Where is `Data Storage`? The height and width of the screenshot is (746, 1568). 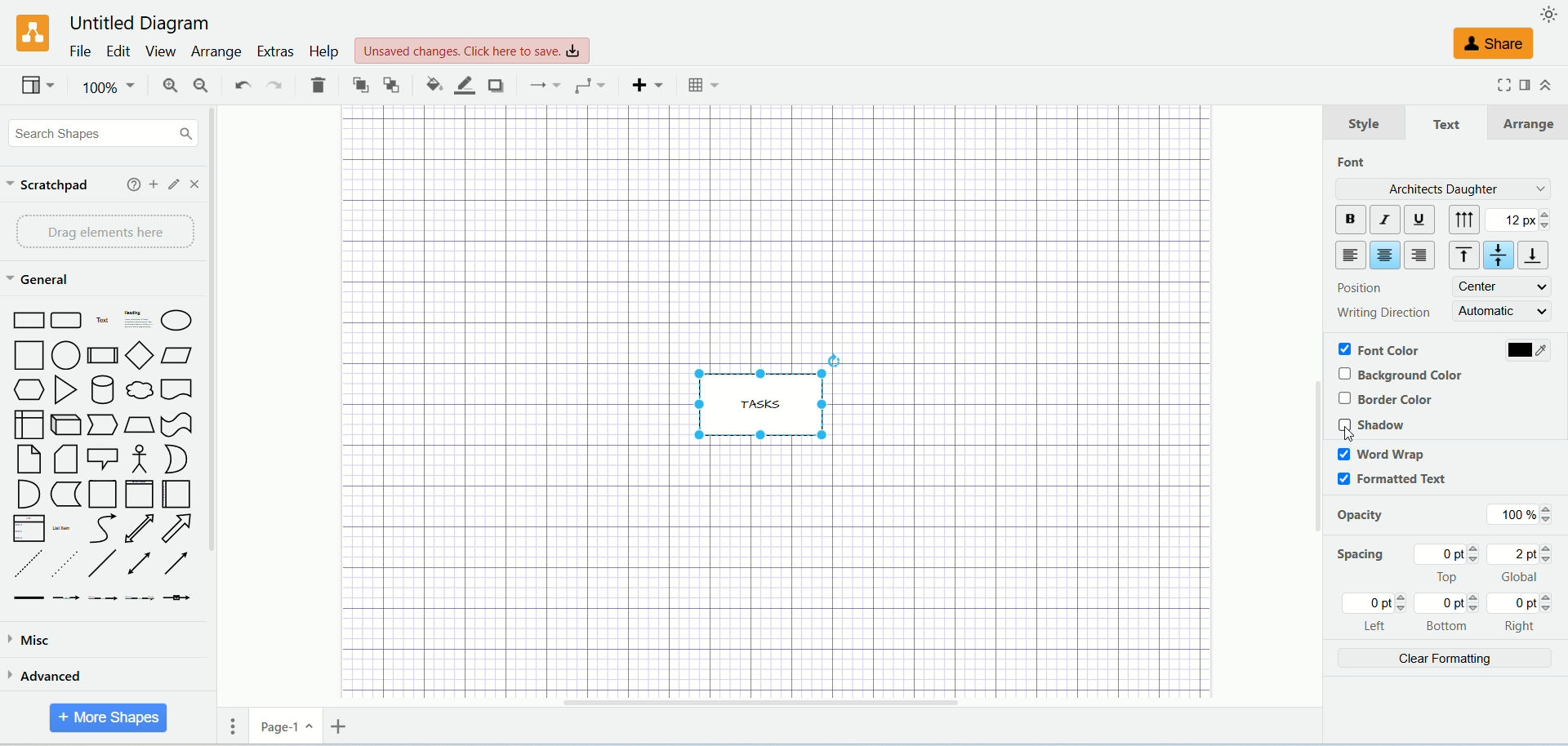 Data Storage is located at coordinates (65, 495).